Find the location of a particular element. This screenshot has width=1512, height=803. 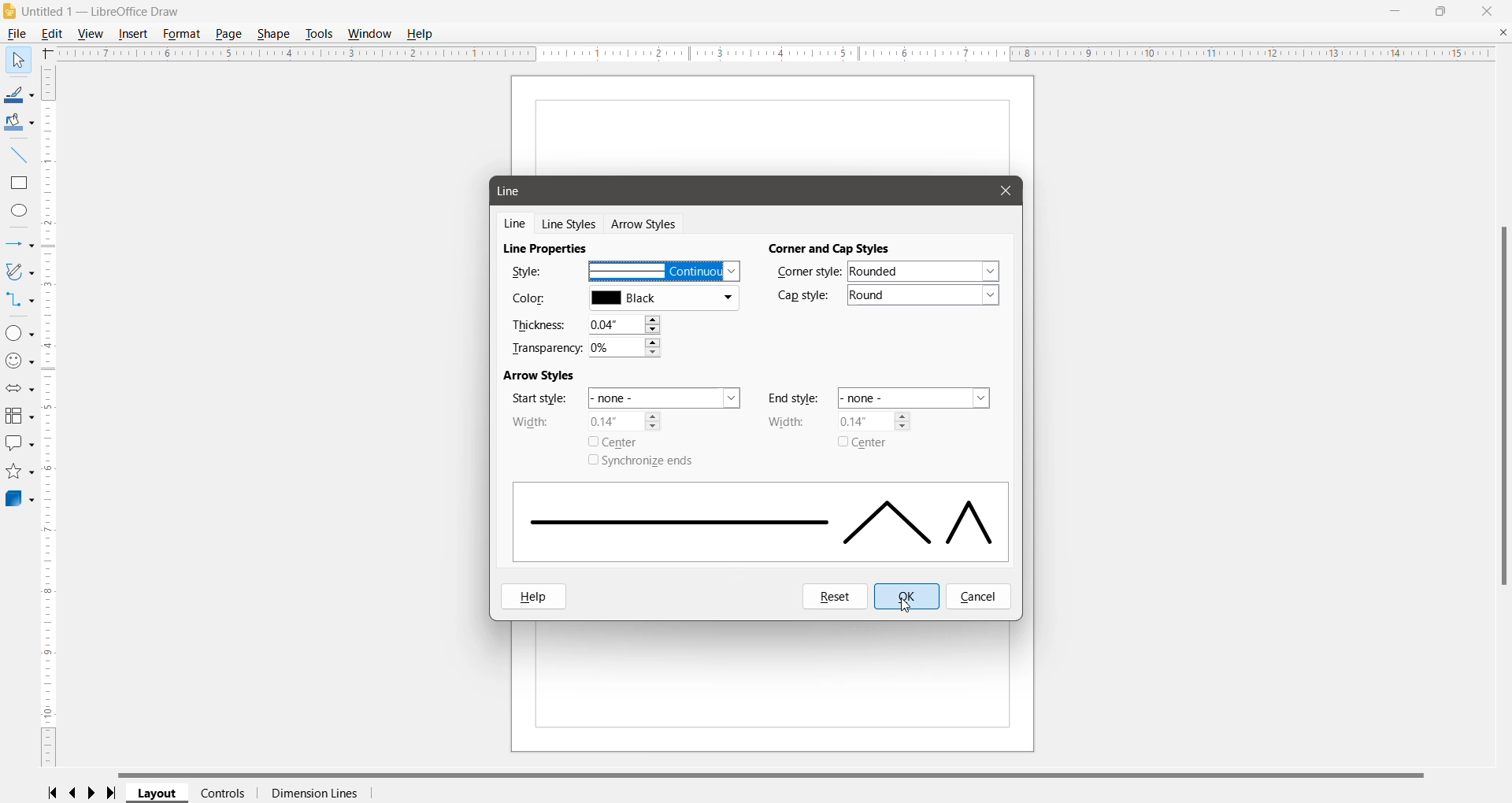

Reset is located at coordinates (835, 597).